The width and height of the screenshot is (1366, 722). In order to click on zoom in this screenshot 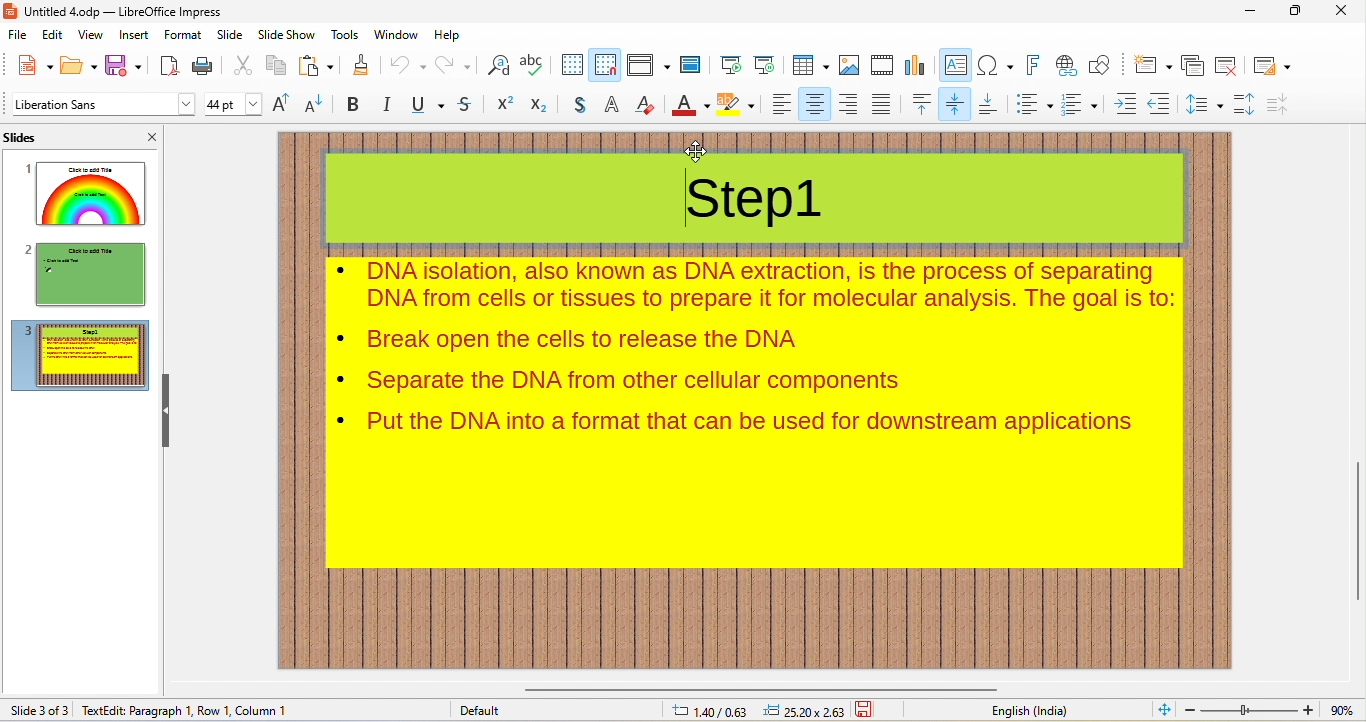, I will do `click(1272, 709)`.